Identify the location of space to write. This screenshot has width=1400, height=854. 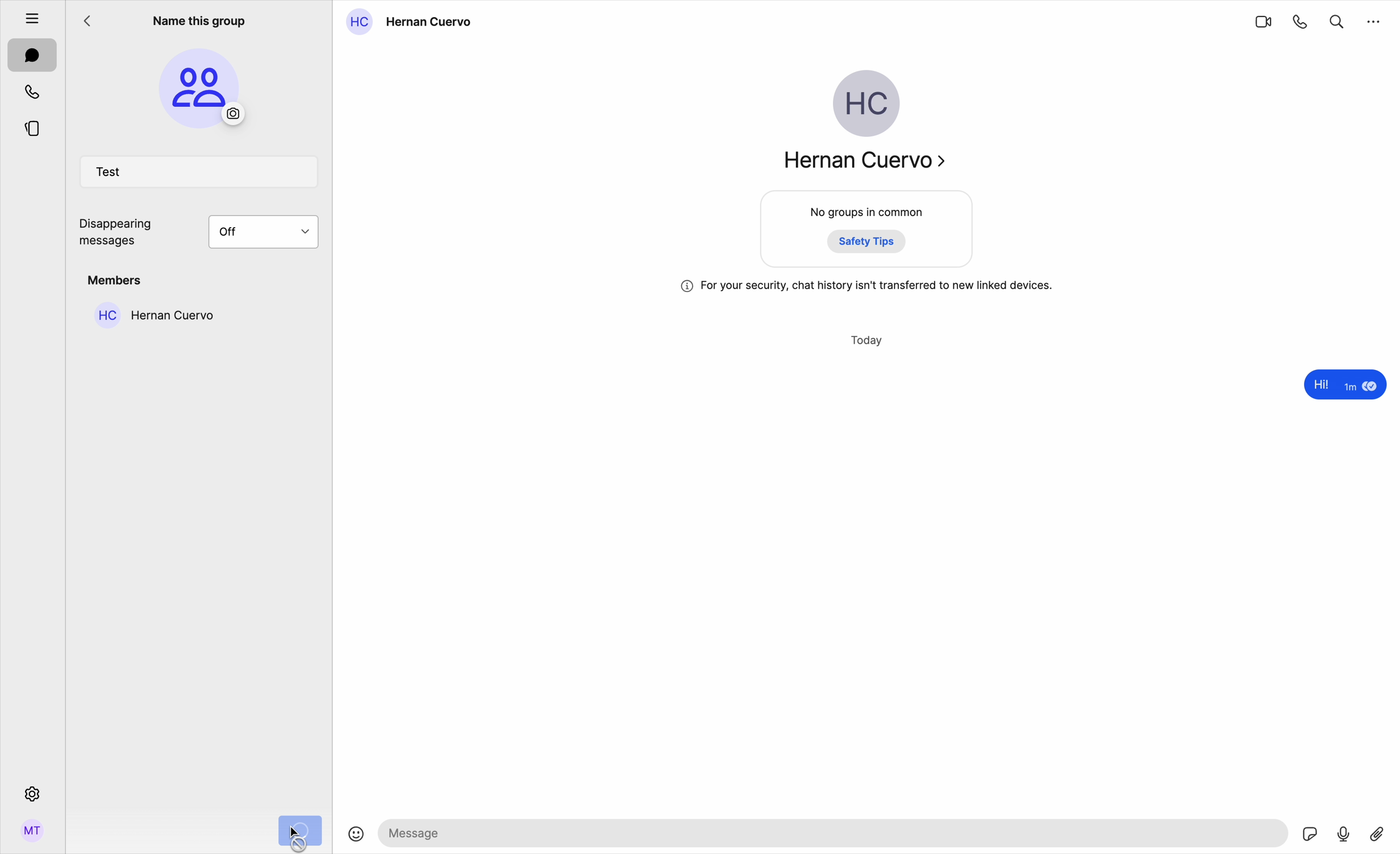
(836, 832).